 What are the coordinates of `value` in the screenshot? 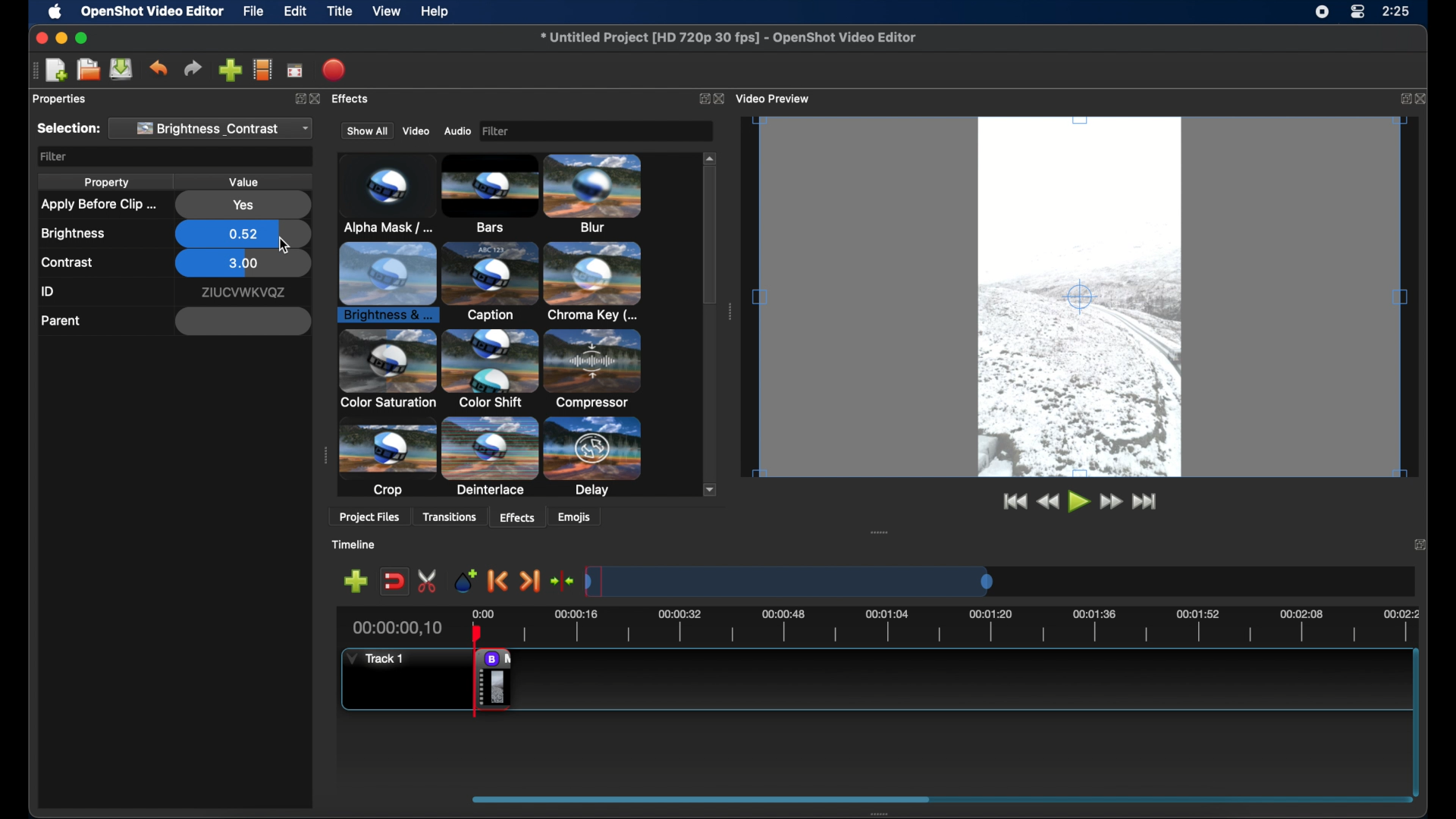 It's located at (246, 181).